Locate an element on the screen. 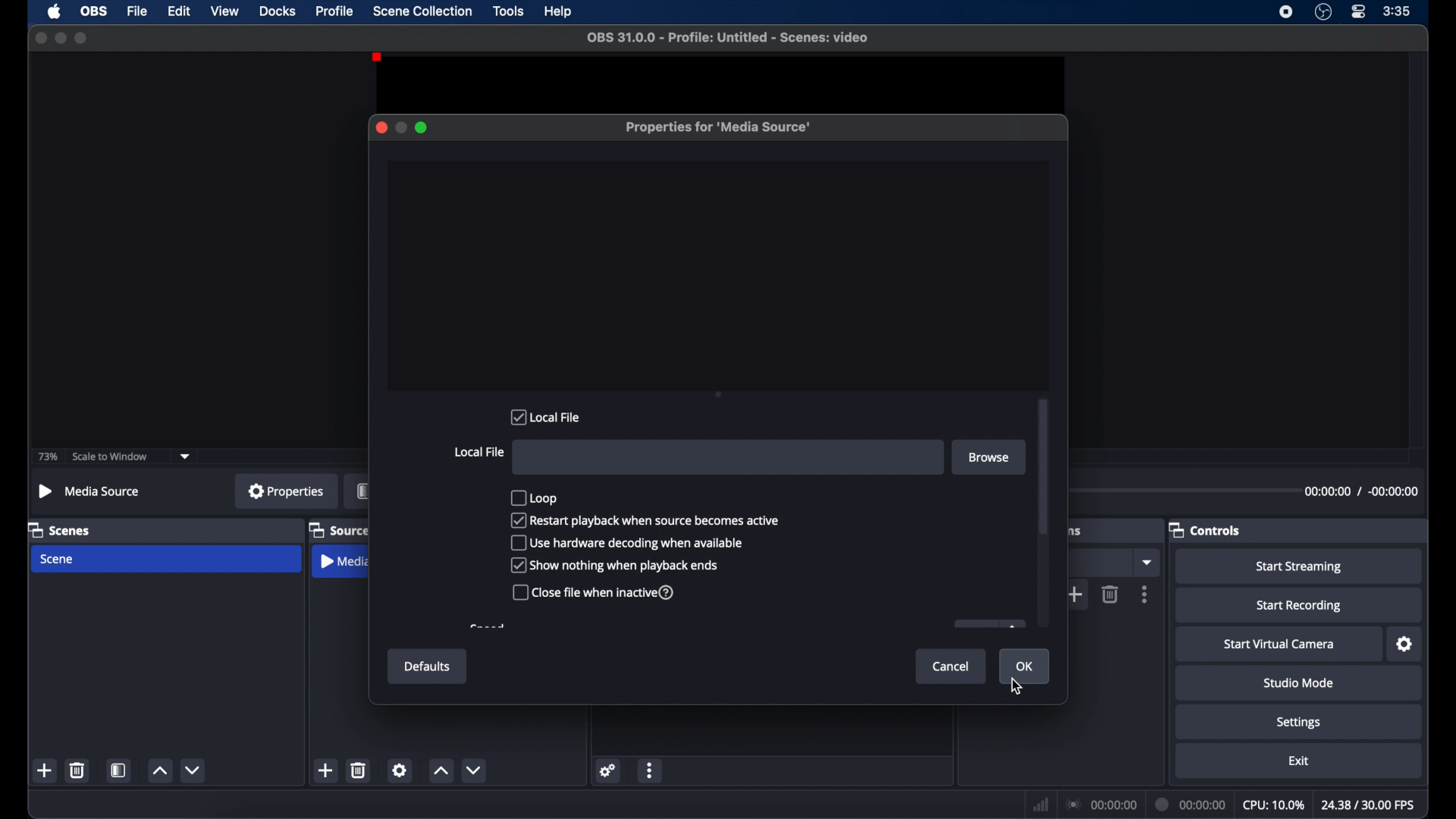 Image resolution: width=1456 pixels, height=819 pixels. checkbox is located at coordinates (592, 593).